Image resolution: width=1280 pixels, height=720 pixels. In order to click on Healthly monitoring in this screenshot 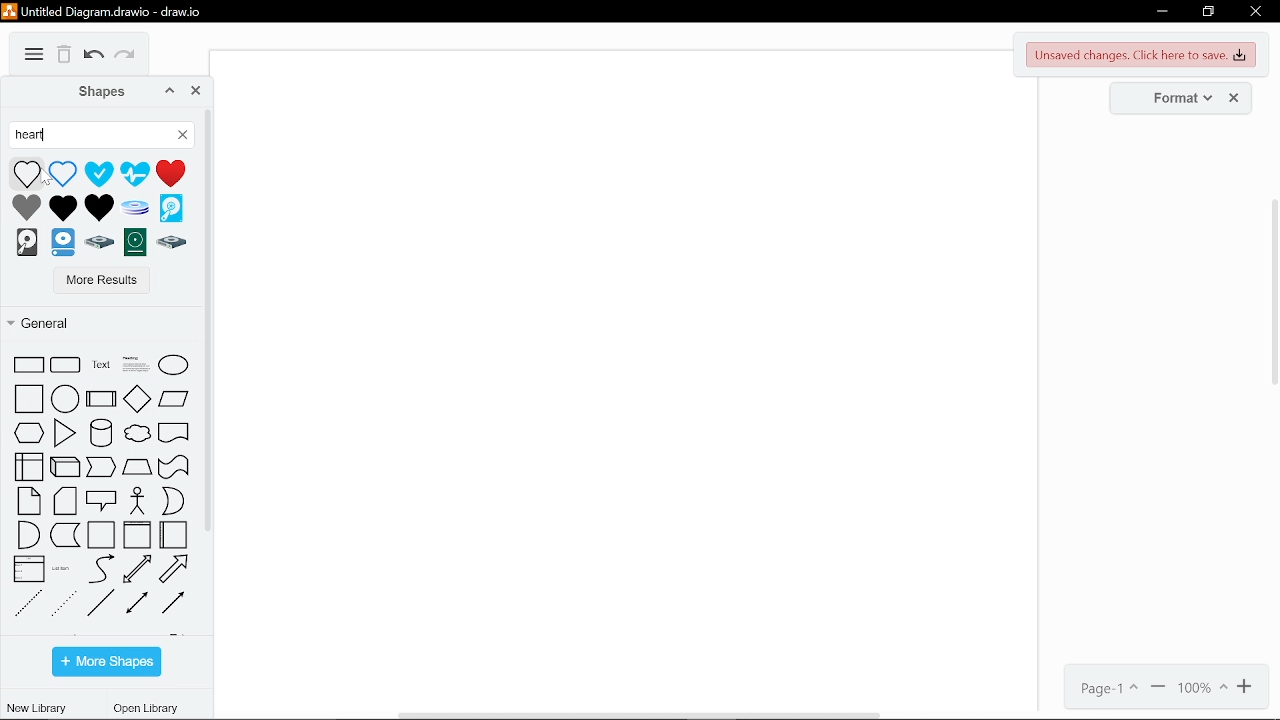, I will do `click(137, 173)`.